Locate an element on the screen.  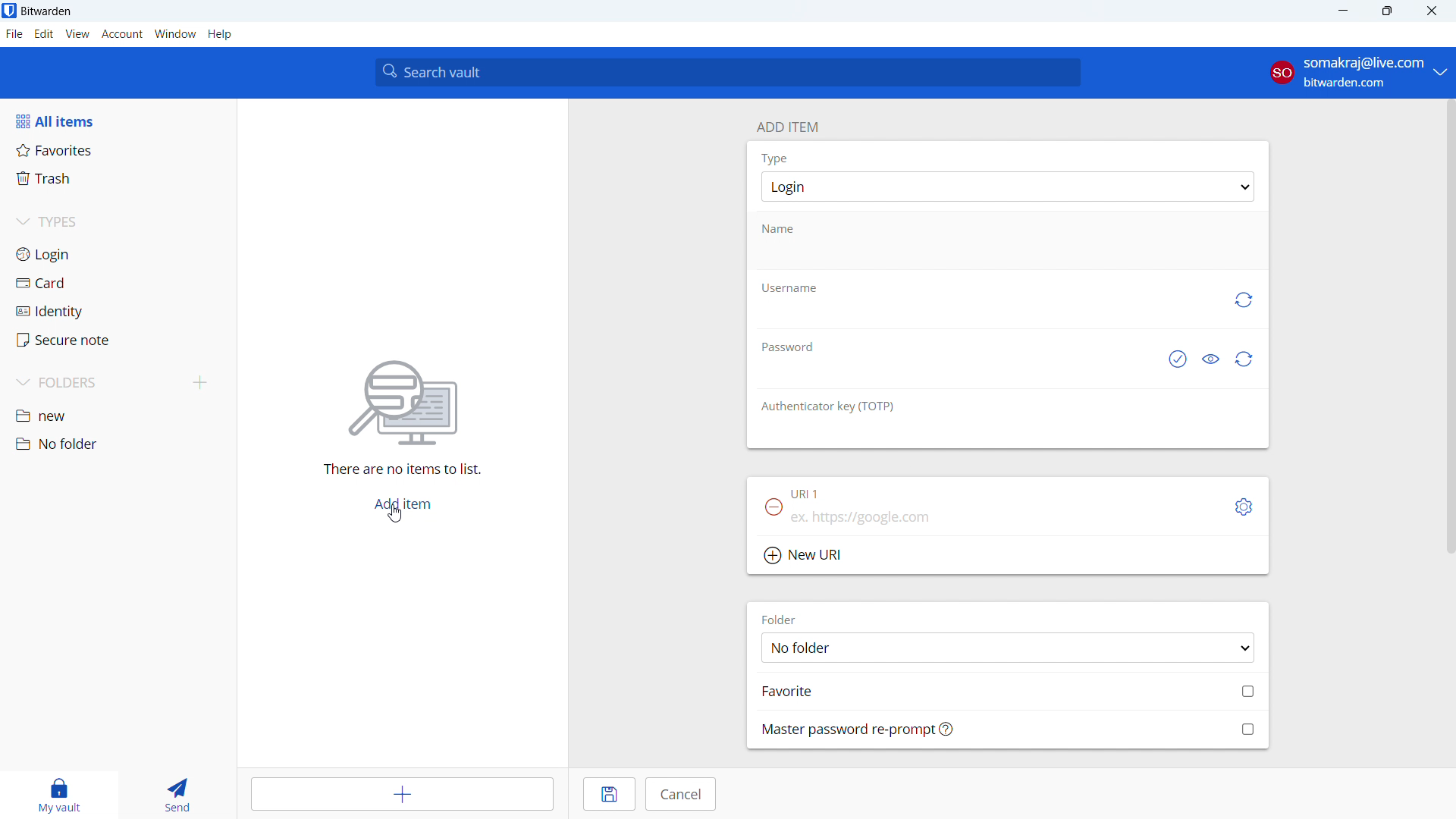
secure note is located at coordinates (118, 340).